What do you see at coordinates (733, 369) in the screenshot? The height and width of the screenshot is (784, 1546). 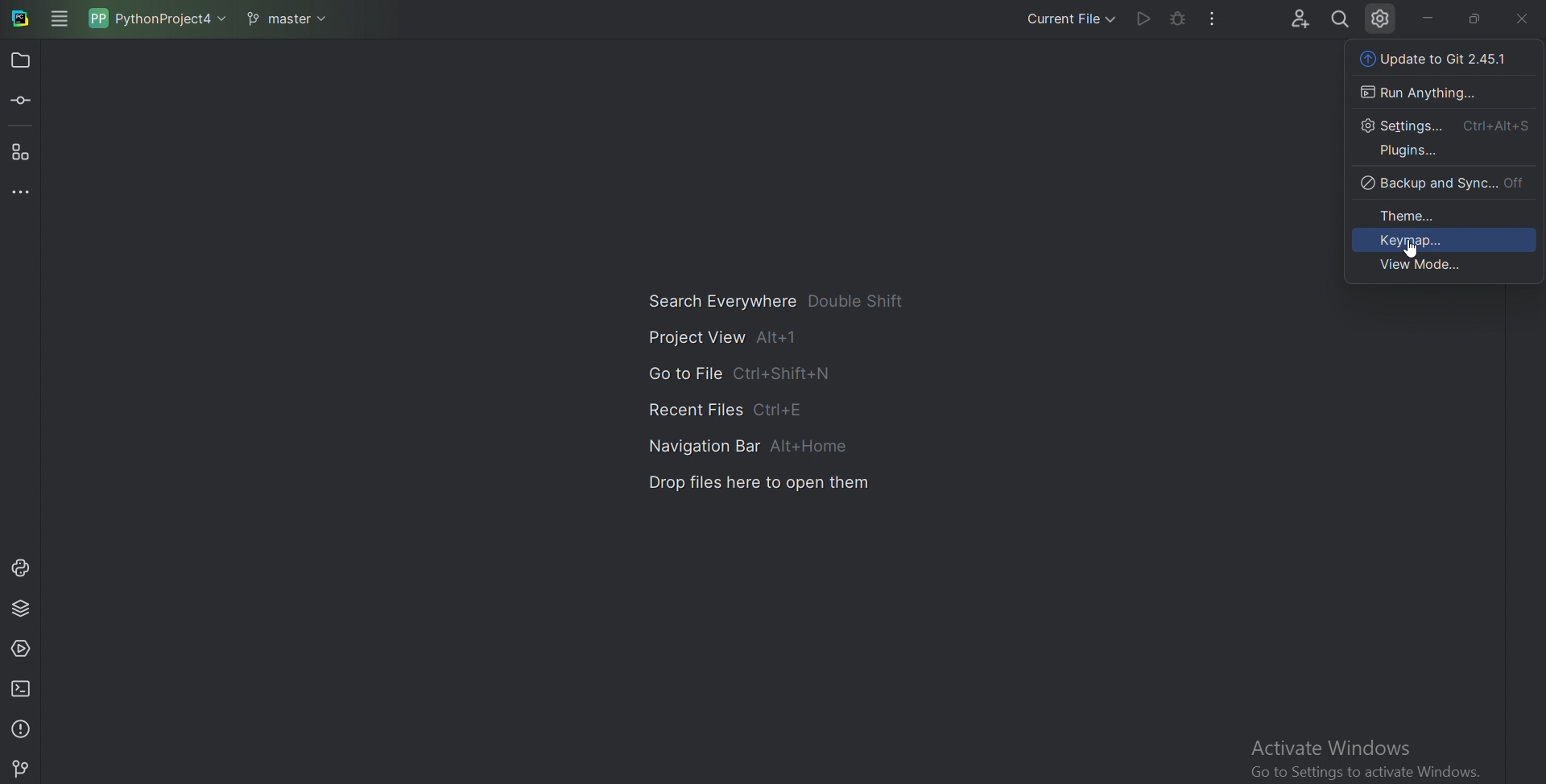 I see `Go to file Ctrl+shift+N` at bounding box center [733, 369].